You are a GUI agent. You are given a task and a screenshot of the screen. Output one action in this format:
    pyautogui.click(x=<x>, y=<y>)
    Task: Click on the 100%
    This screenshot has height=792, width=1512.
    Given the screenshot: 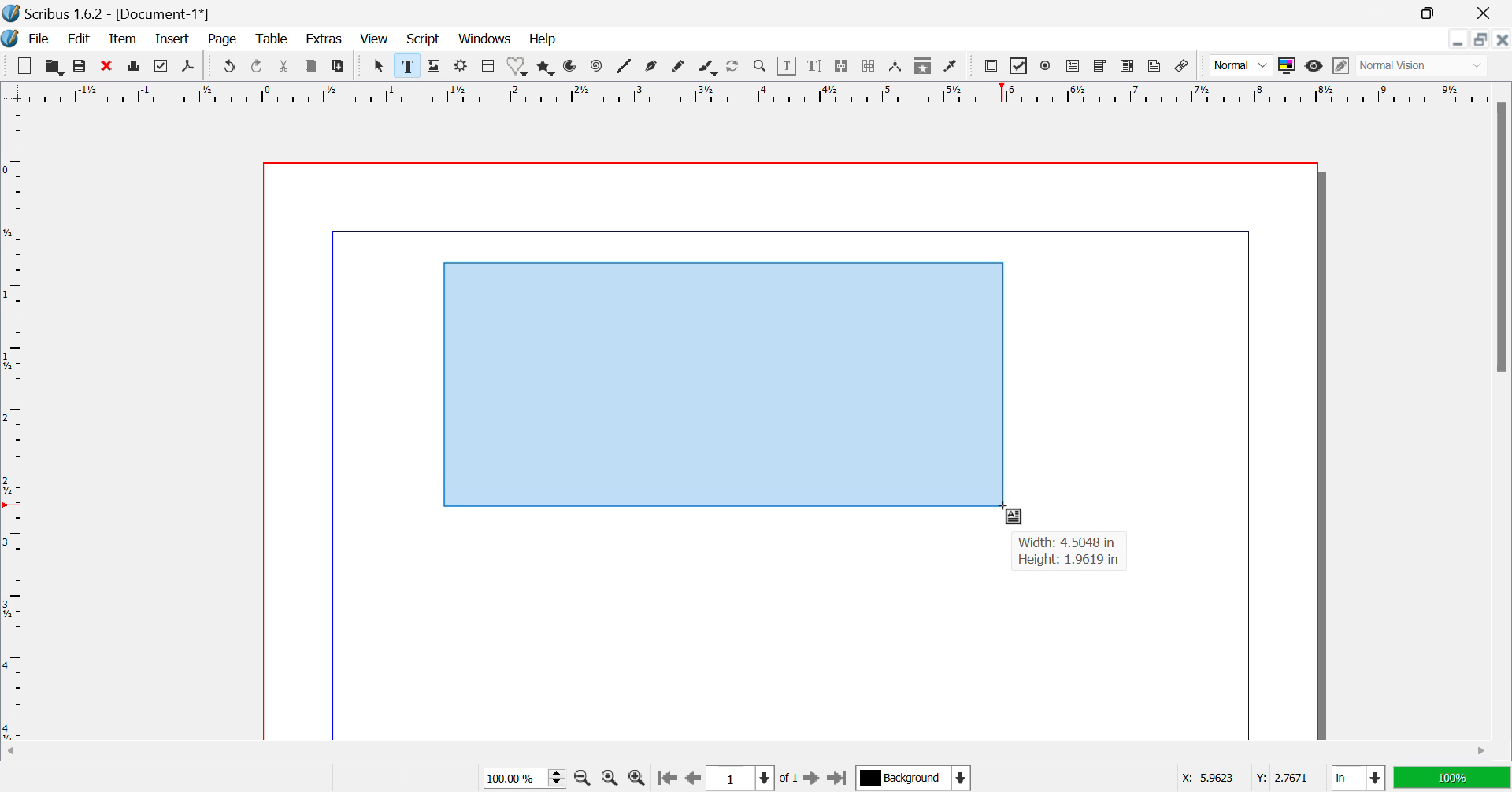 What is the action you would take?
    pyautogui.click(x=1451, y=778)
    